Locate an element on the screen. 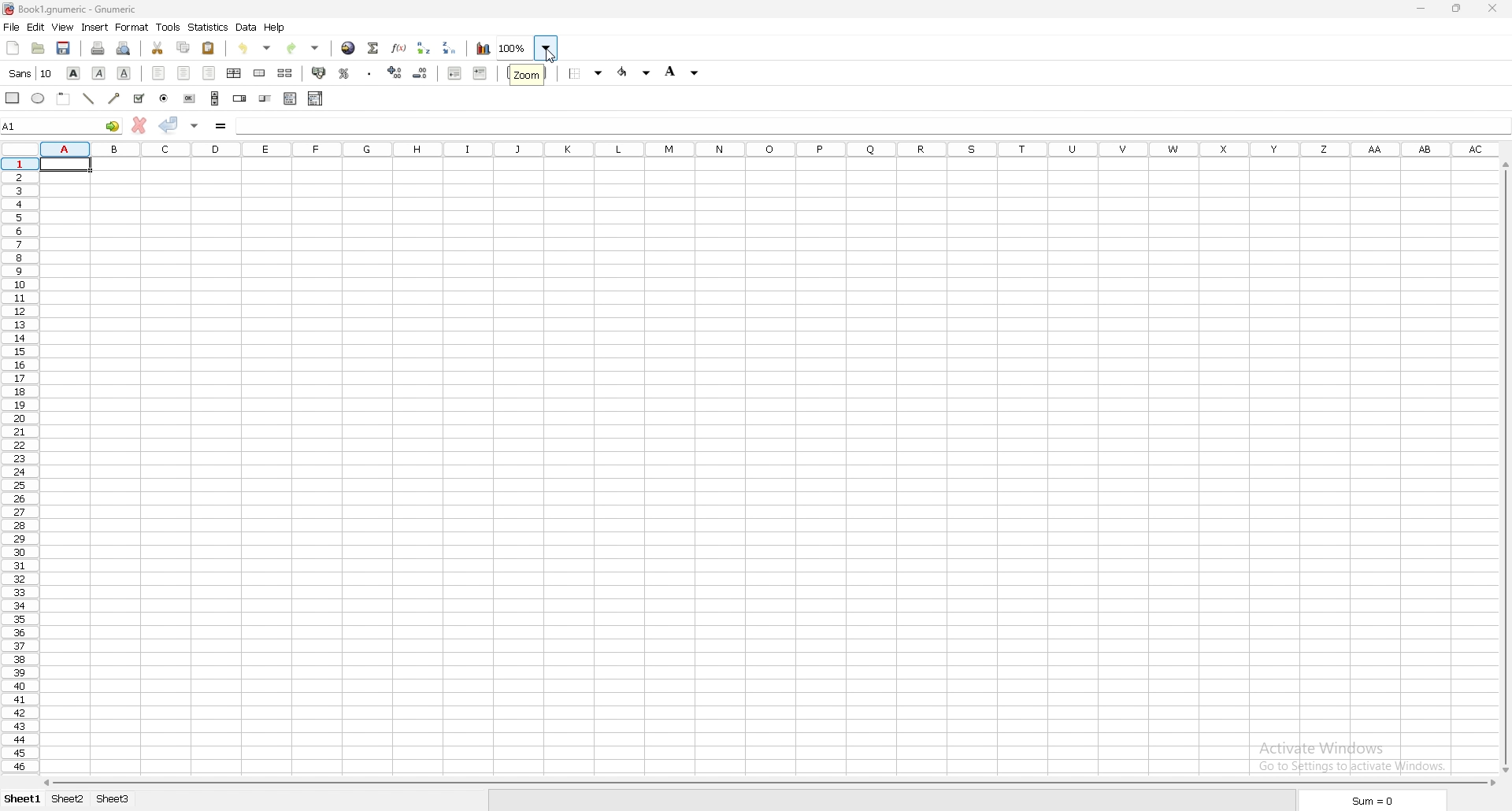 The width and height of the screenshot is (1512, 811). Drop down is located at coordinates (600, 72).